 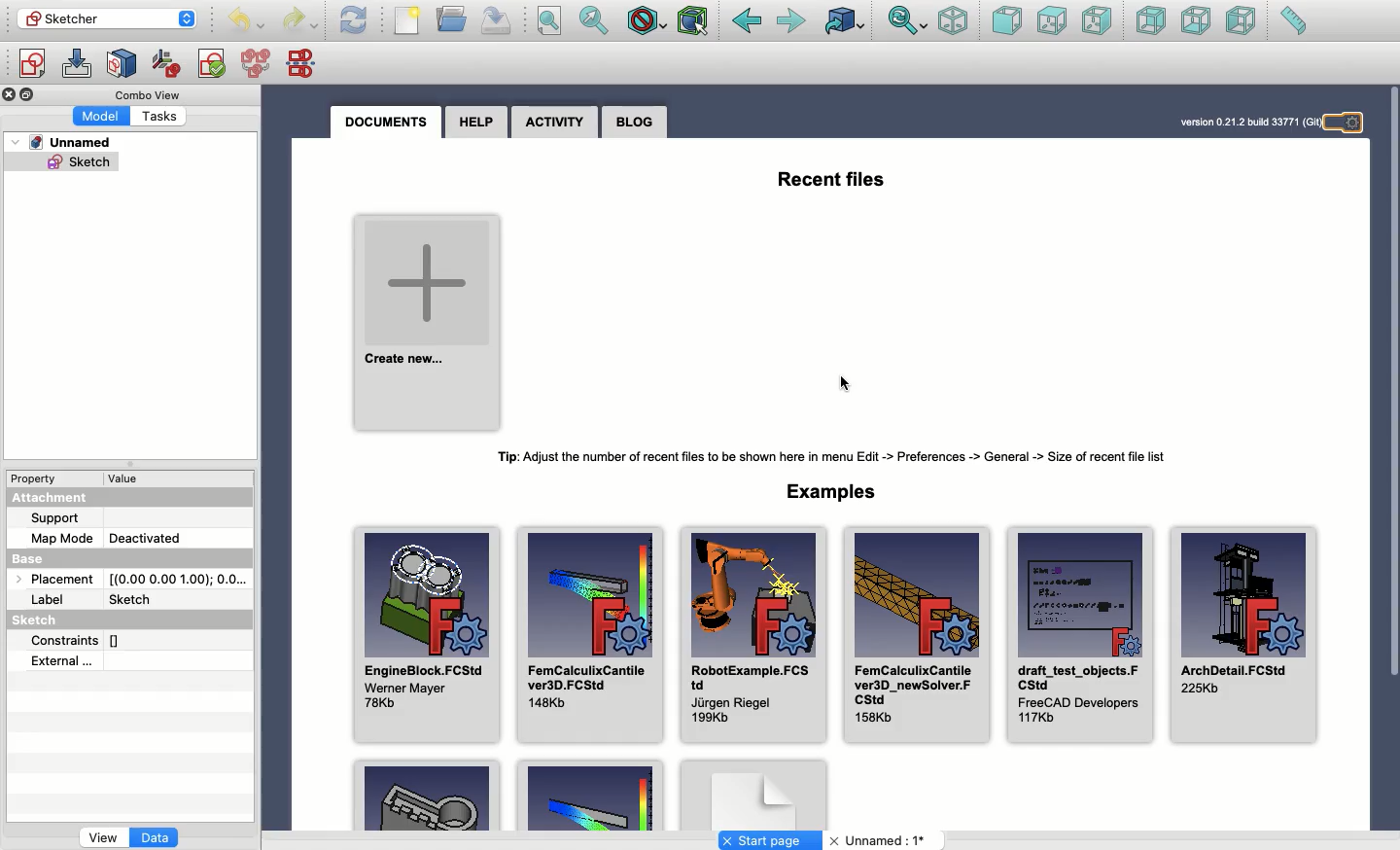 I want to click on Examples, so click(x=831, y=491).